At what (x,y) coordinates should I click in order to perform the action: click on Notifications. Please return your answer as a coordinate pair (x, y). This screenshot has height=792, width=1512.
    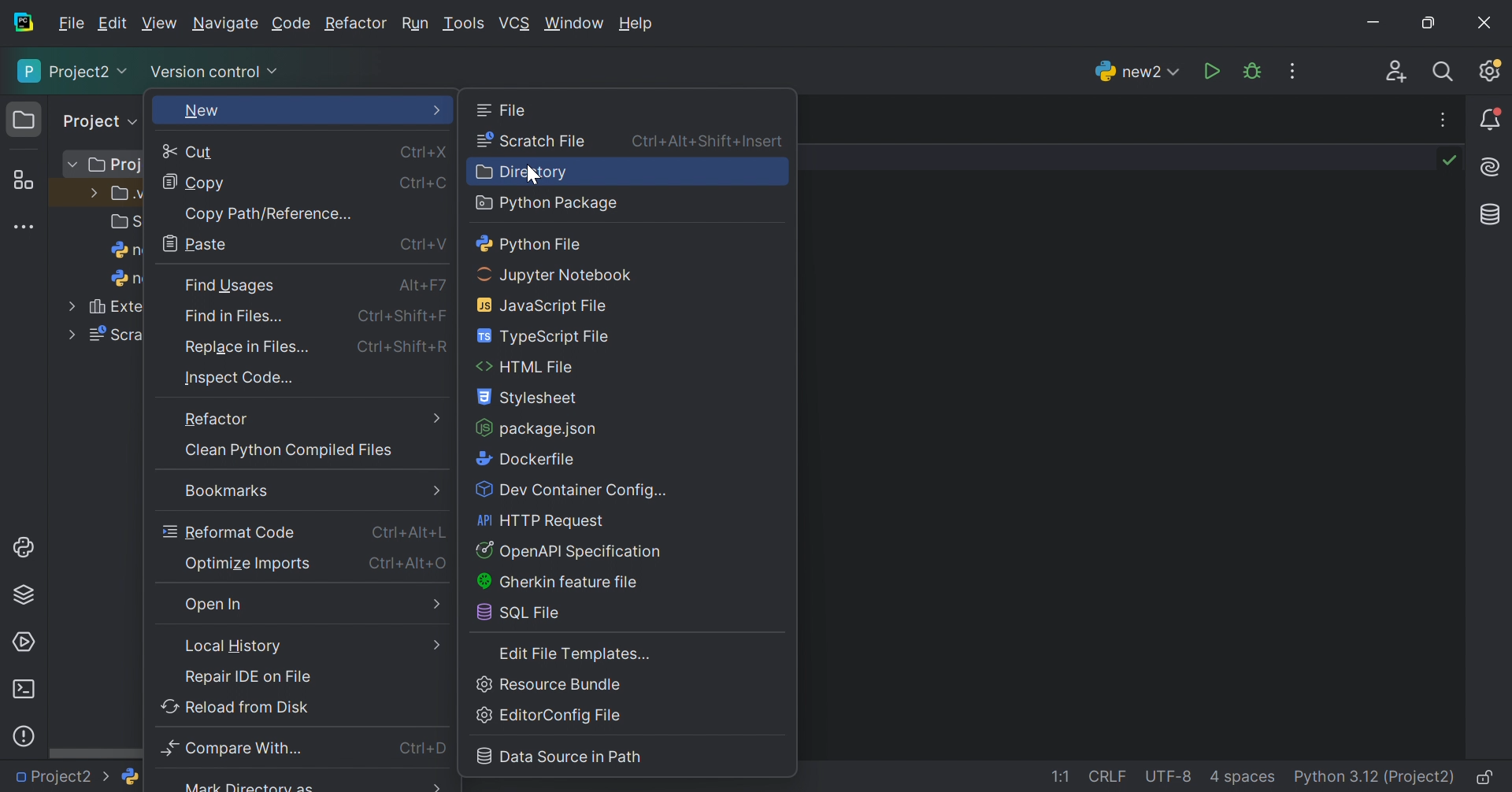
    Looking at the image, I should click on (1493, 119).